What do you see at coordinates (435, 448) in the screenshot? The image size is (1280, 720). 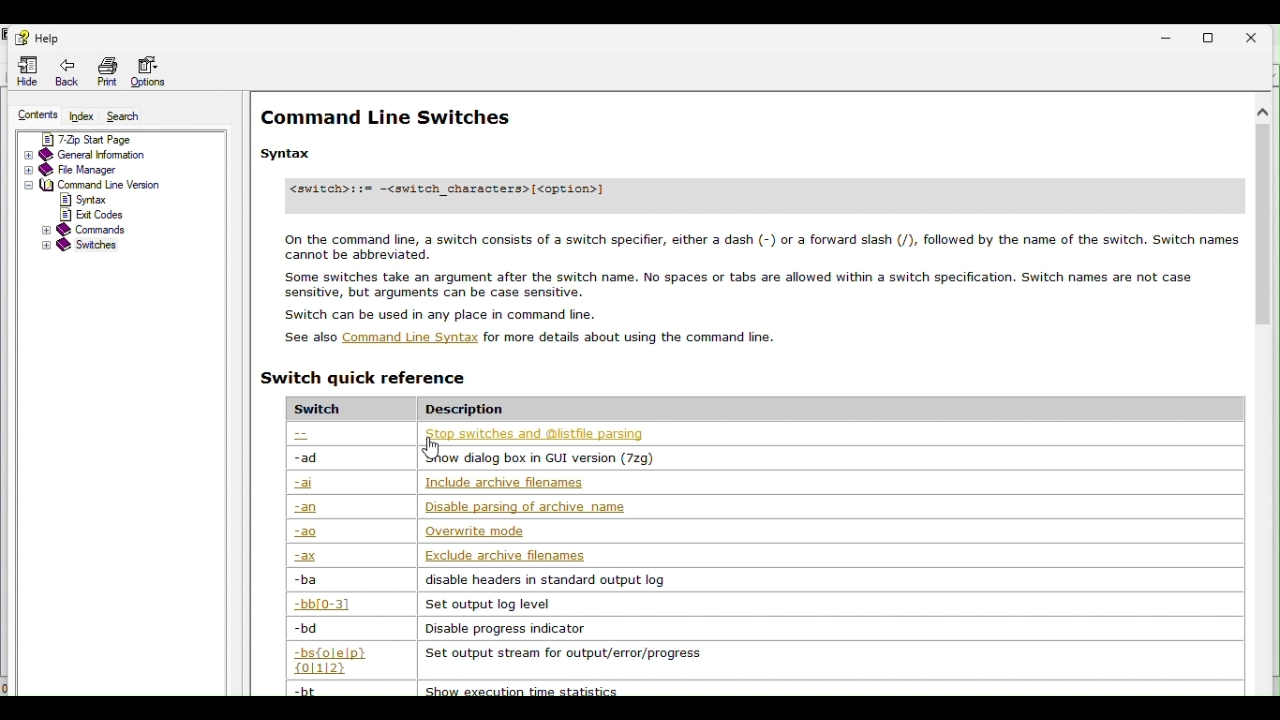 I see `Cursor` at bounding box center [435, 448].